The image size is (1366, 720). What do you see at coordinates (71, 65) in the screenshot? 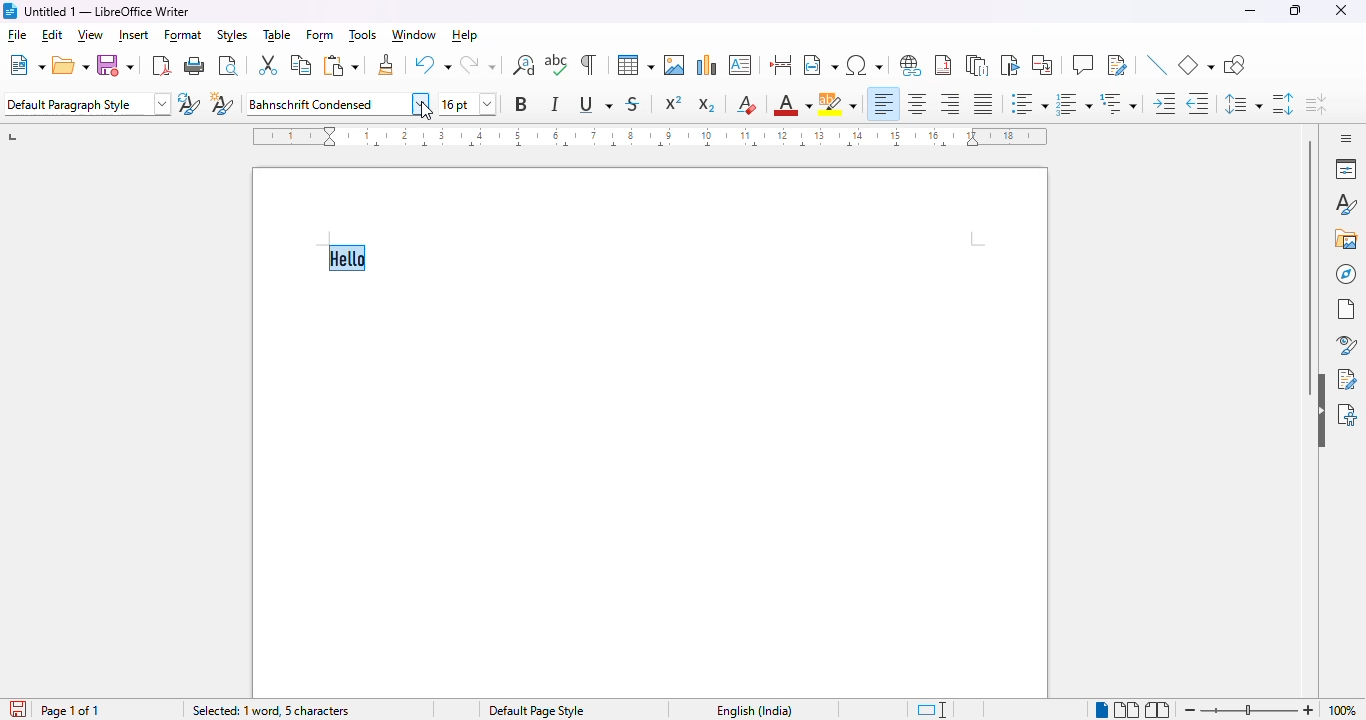
I see `open` at bounding box center [71, 65].